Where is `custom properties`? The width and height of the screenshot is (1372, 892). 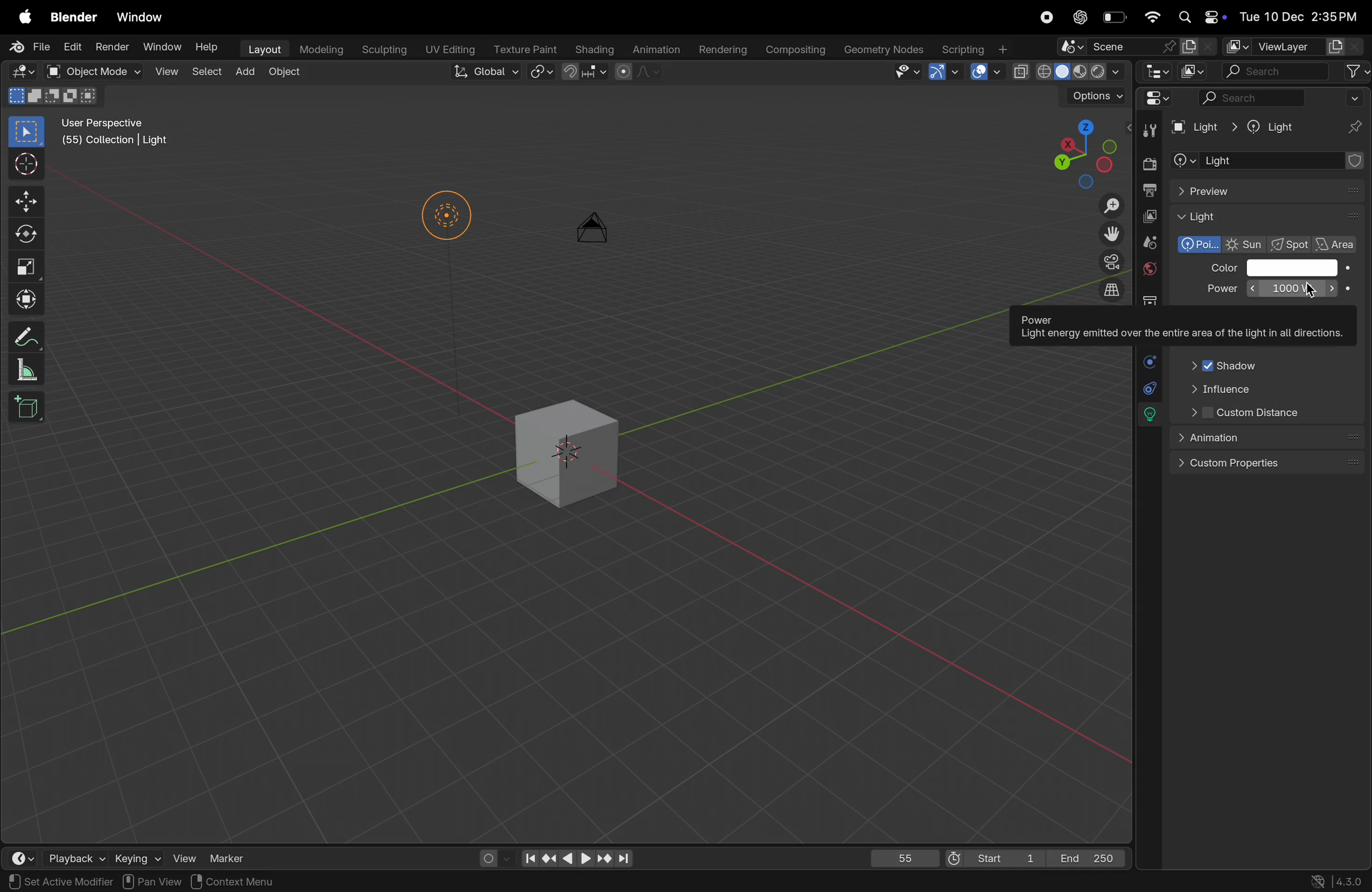
custom properties is located at coordinates (1266, 462).